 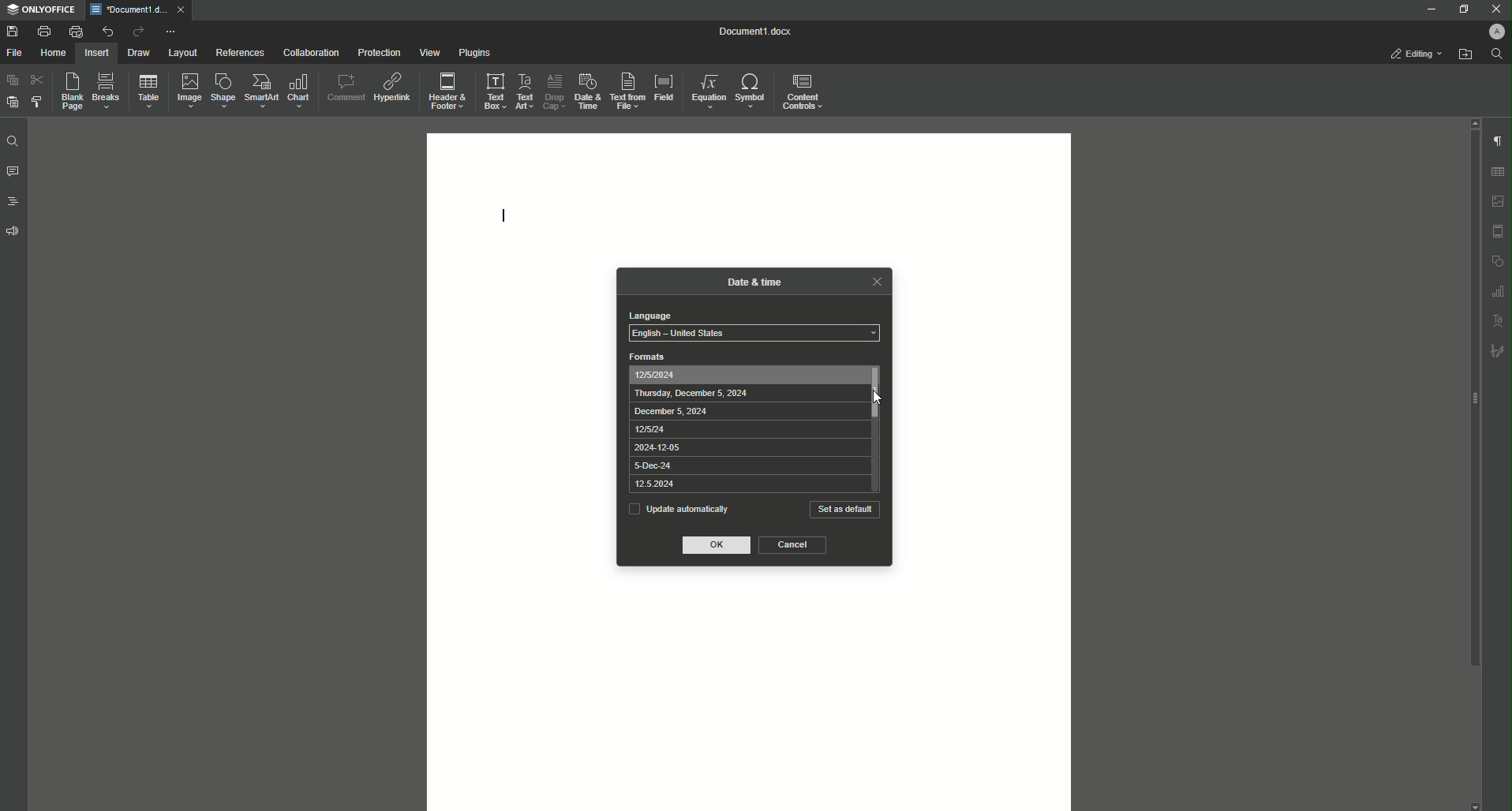 I want to click on Open from file, so click(x=1465, y=54).